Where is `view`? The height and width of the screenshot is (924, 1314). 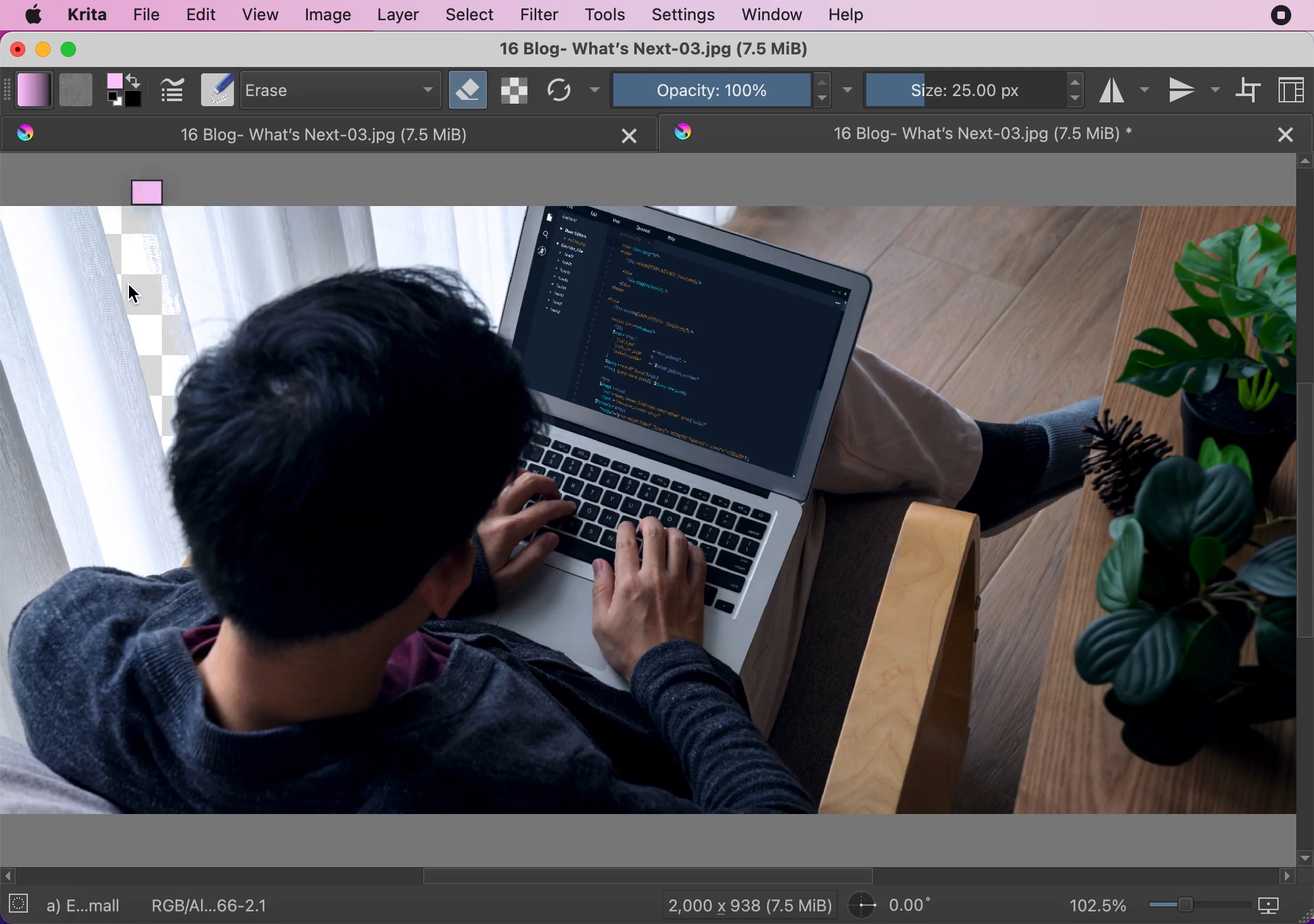 view is located at coordinates (262, 14).